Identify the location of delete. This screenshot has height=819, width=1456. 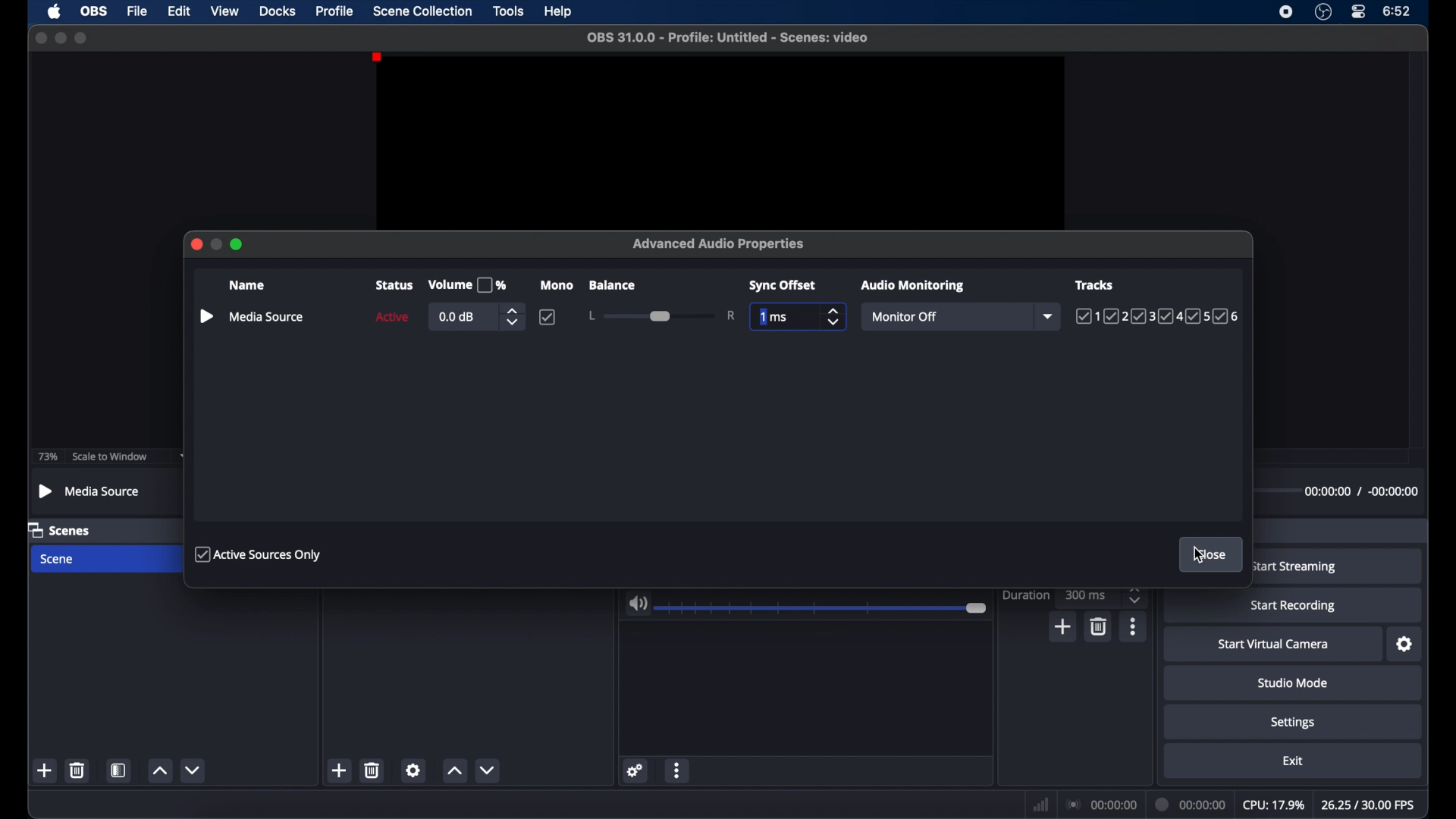
(1100, 627).